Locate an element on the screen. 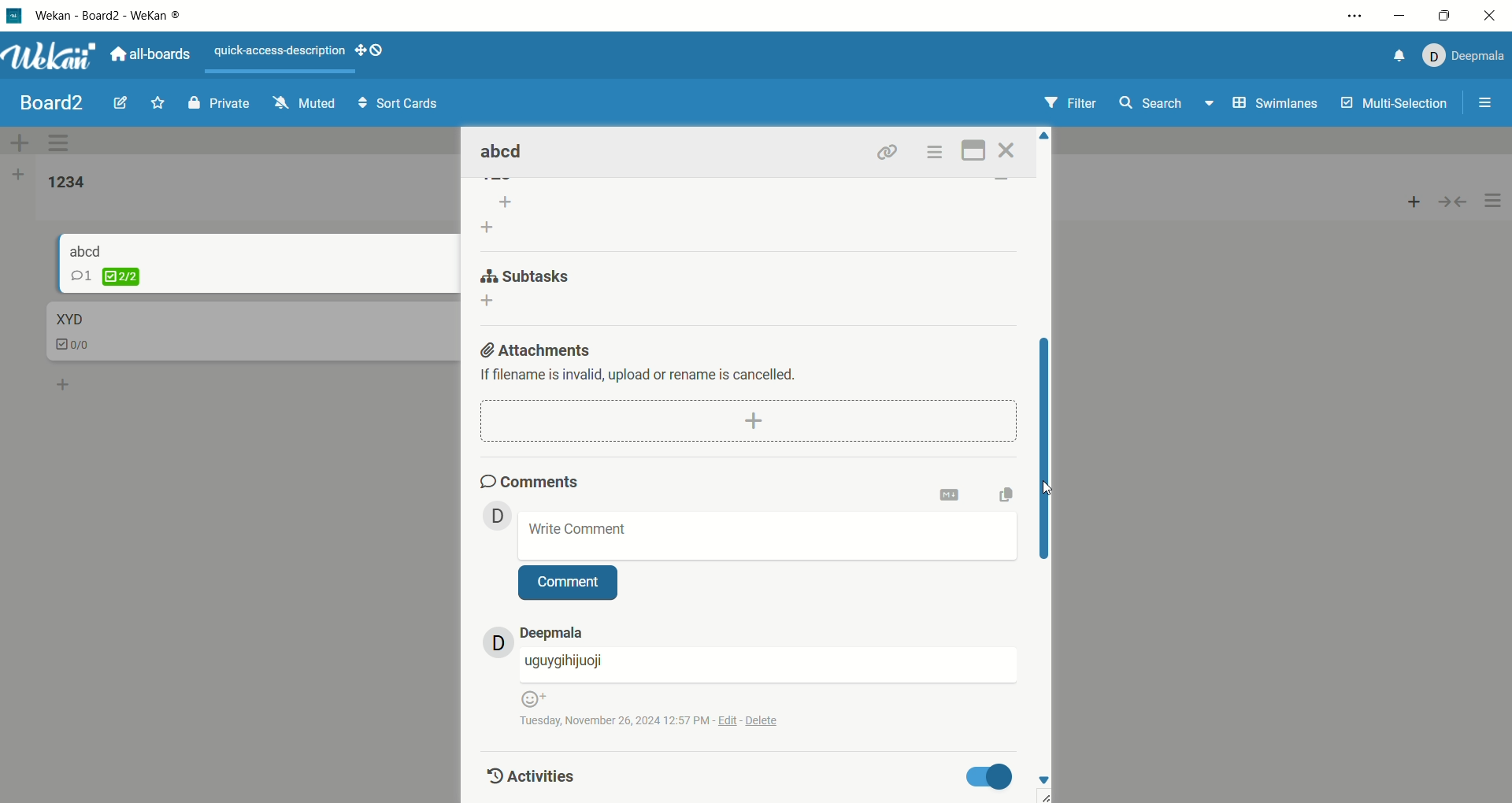 The width and height of the screenshot is (1512, 803). add list is located at coordinates (500, 215).